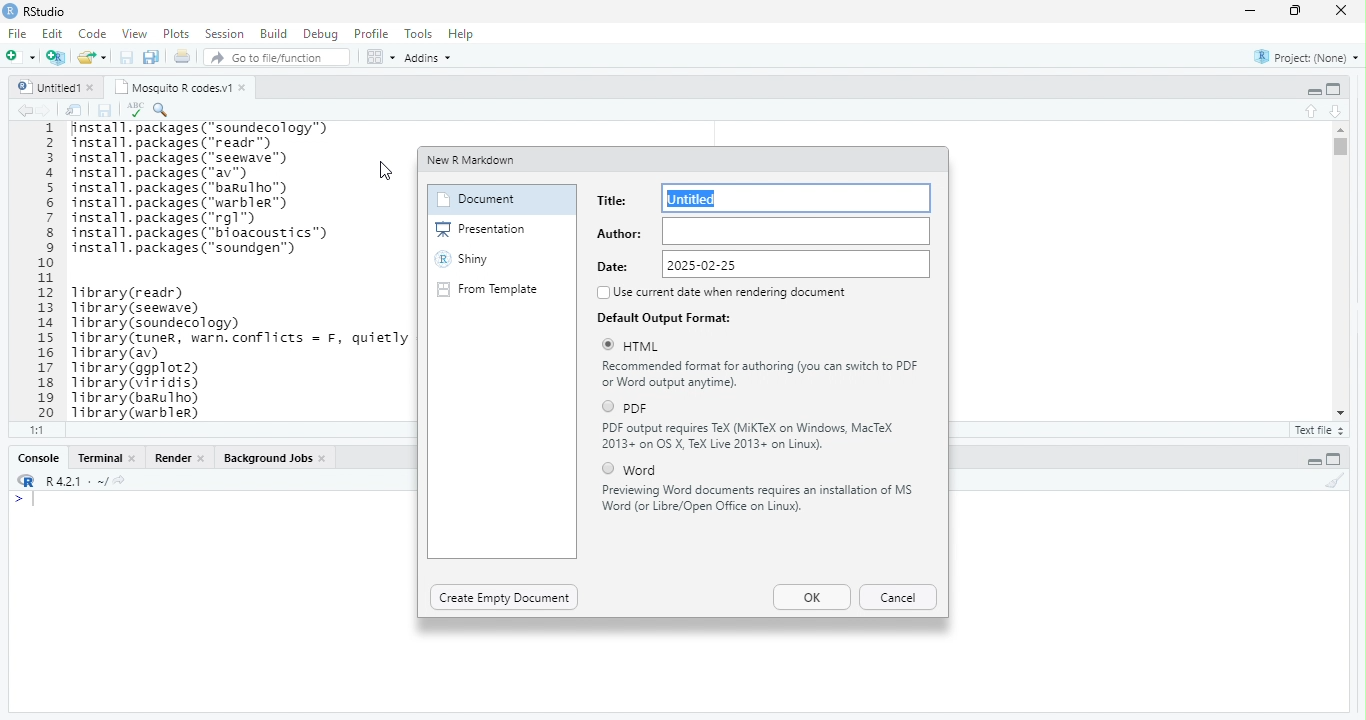  I want to click on PDF output requires TeX (MiKTeX on Windows, MacTeX
2013+ on OS X, TeX Live 2013+ on Linux)., so click(751, 437).